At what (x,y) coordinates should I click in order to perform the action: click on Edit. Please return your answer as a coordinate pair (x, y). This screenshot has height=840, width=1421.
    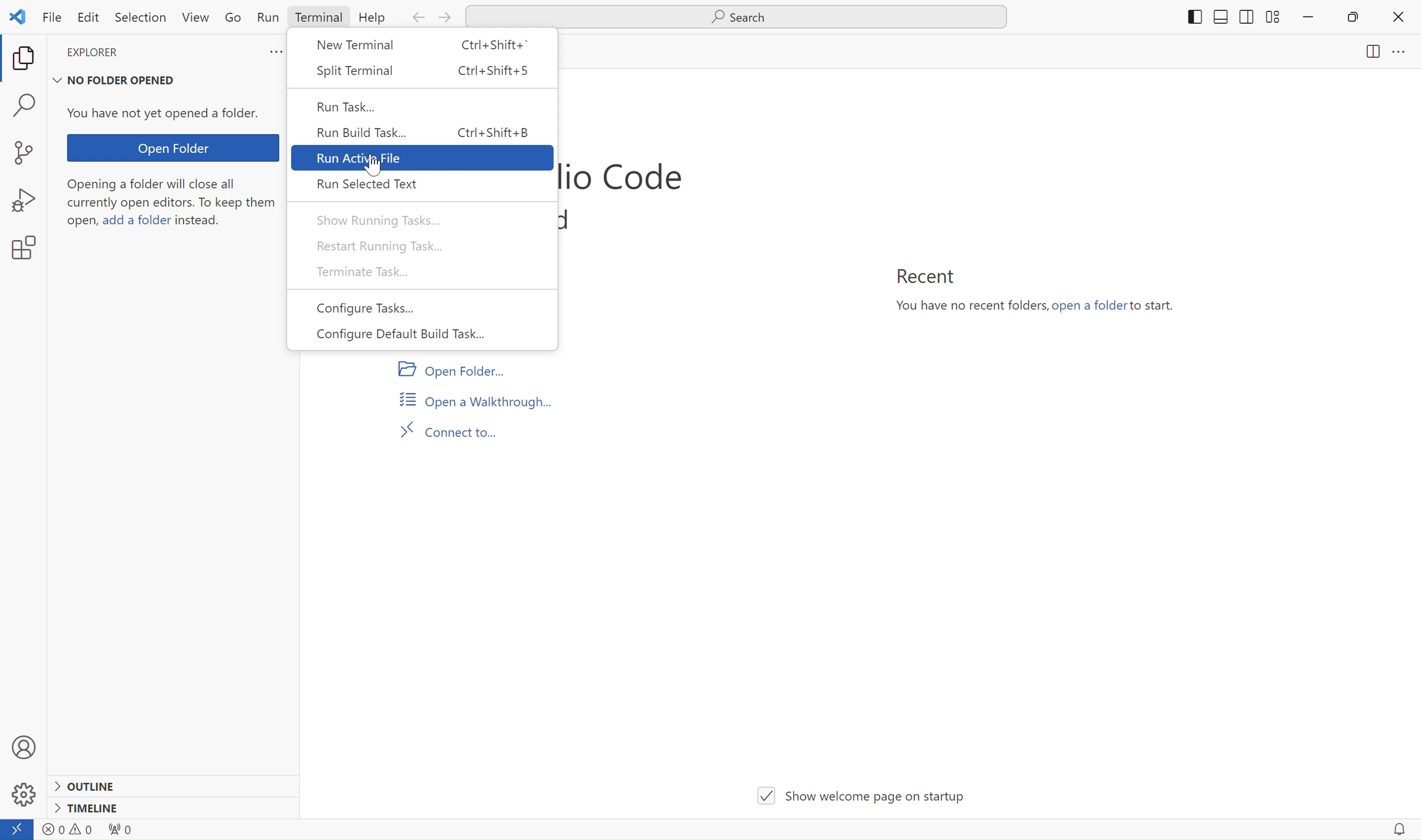
    Looking at the image, I should click on (89, 18).